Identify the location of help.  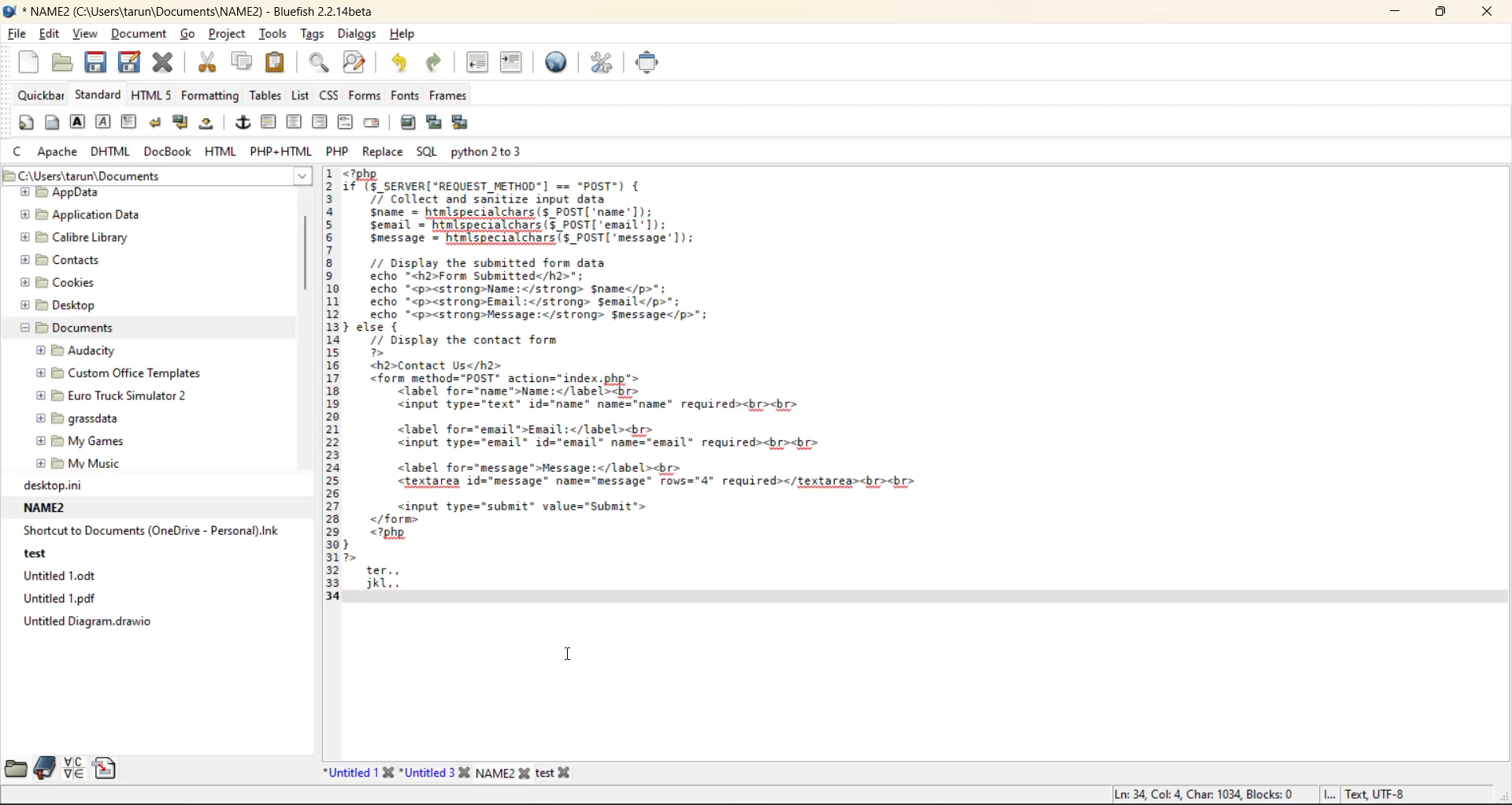
(400, 35).